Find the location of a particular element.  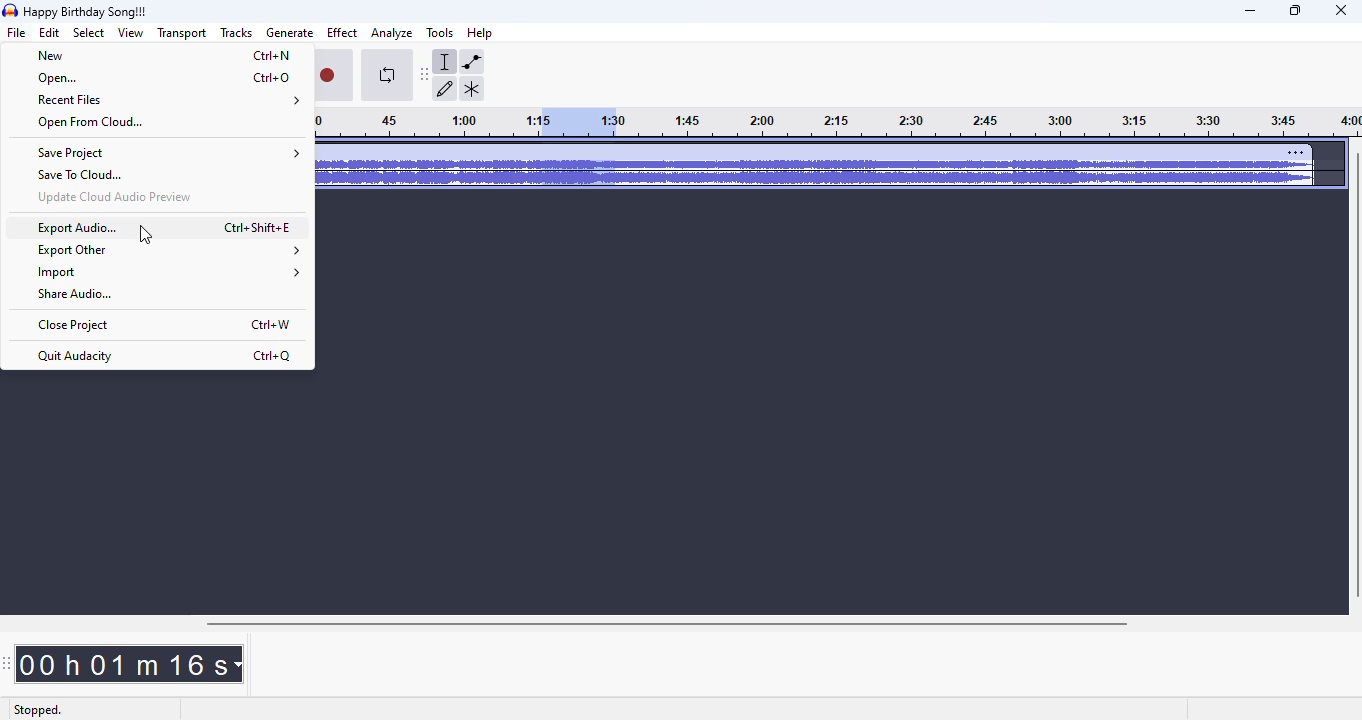

update cloud audio preview is located at coordinates (116, 197).